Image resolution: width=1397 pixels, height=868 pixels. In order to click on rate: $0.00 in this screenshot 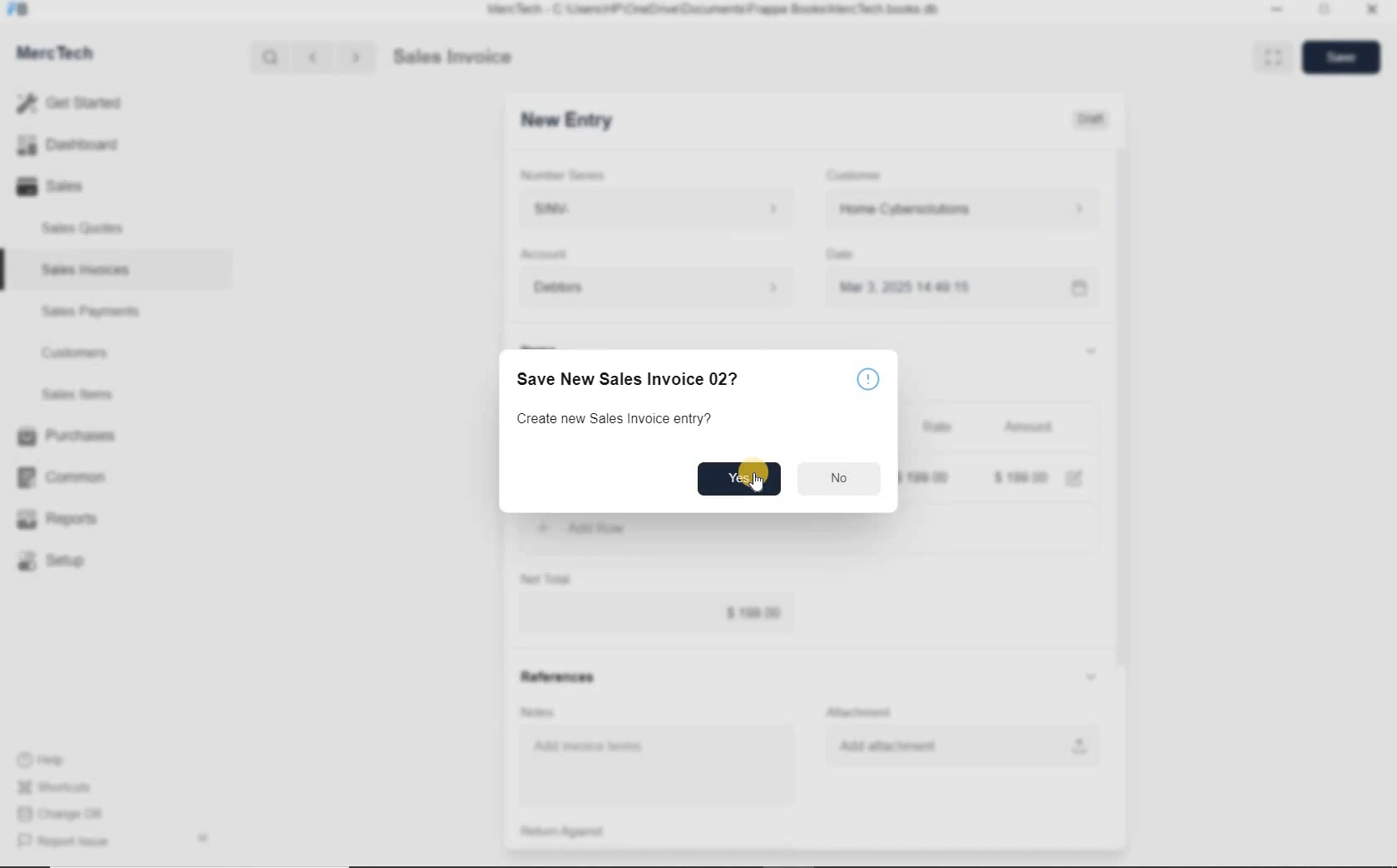, I will do `click(926, 476)`.